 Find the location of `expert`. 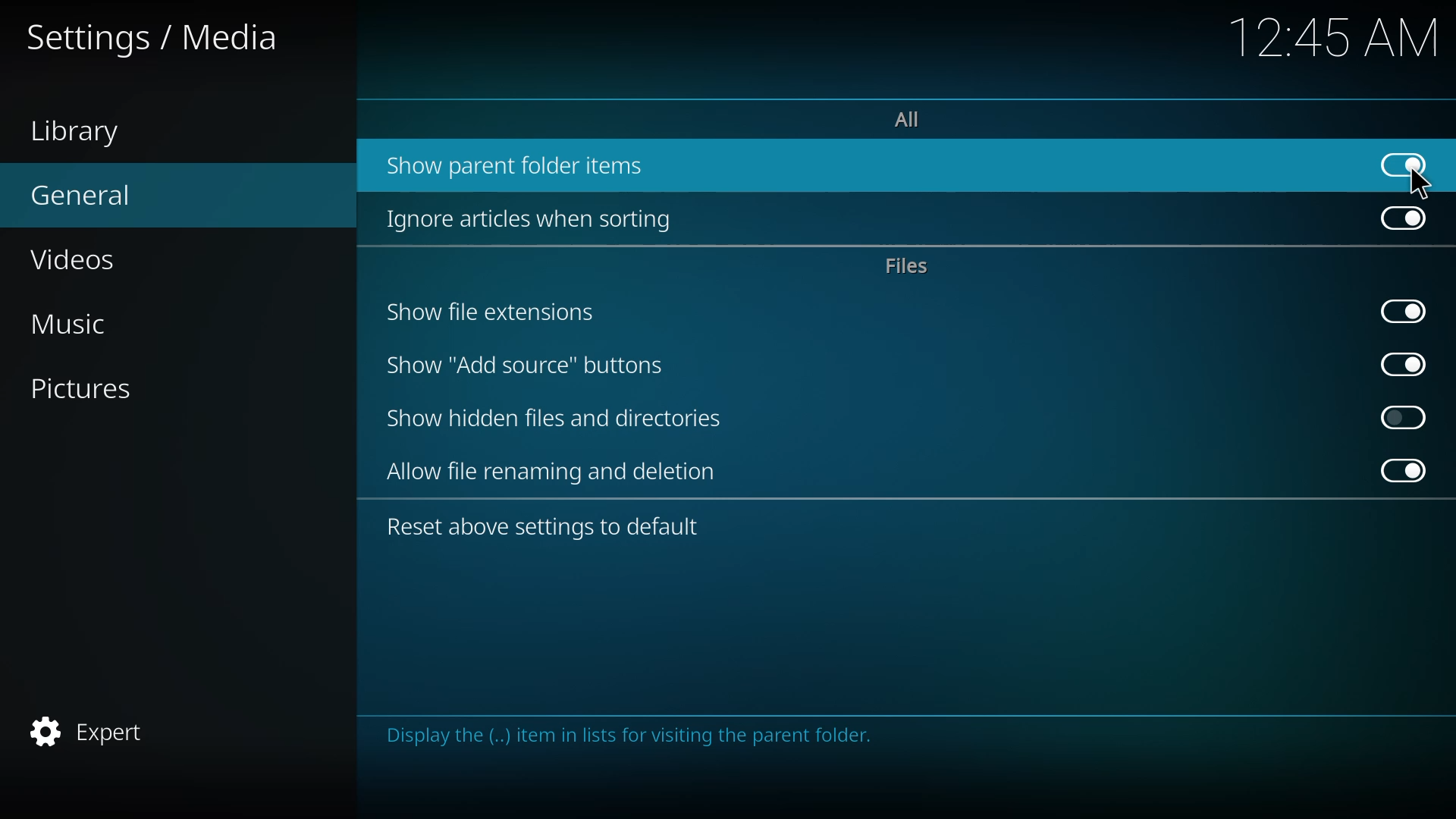

expert is located at coordinates (93, 731).